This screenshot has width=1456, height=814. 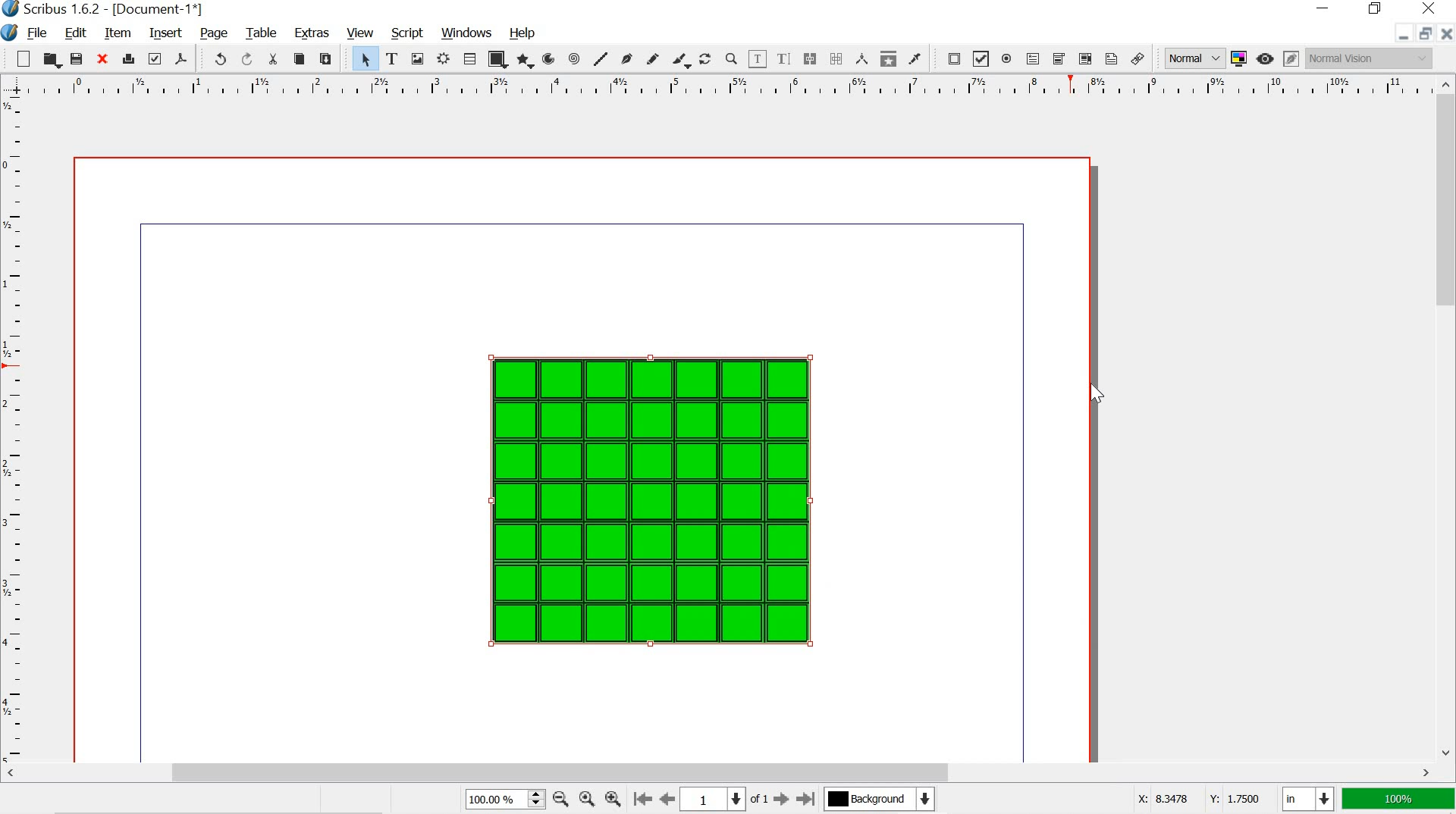 I want to click on measurements, so click(x=863, y=58).